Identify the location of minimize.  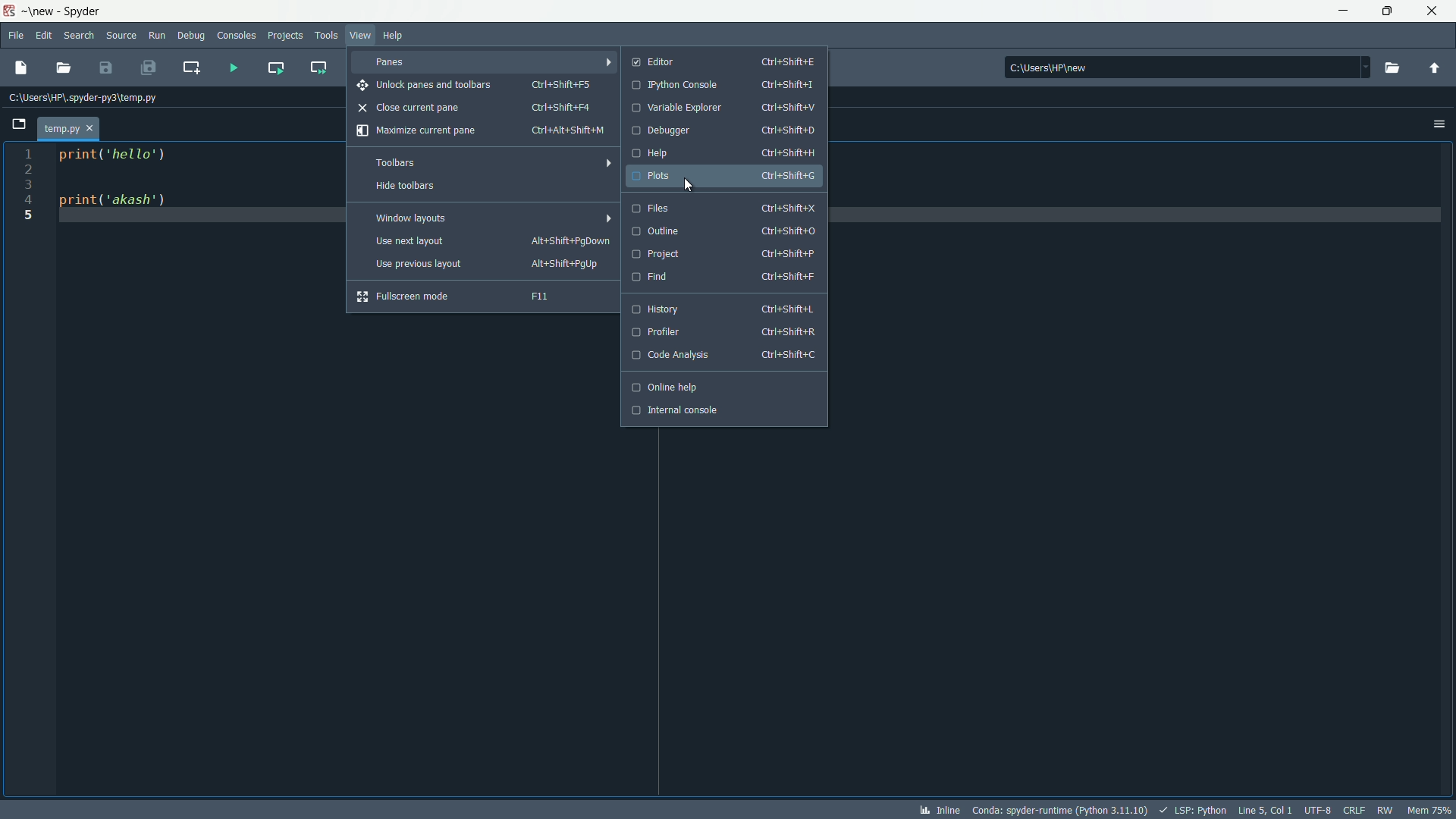
(1345, 11).